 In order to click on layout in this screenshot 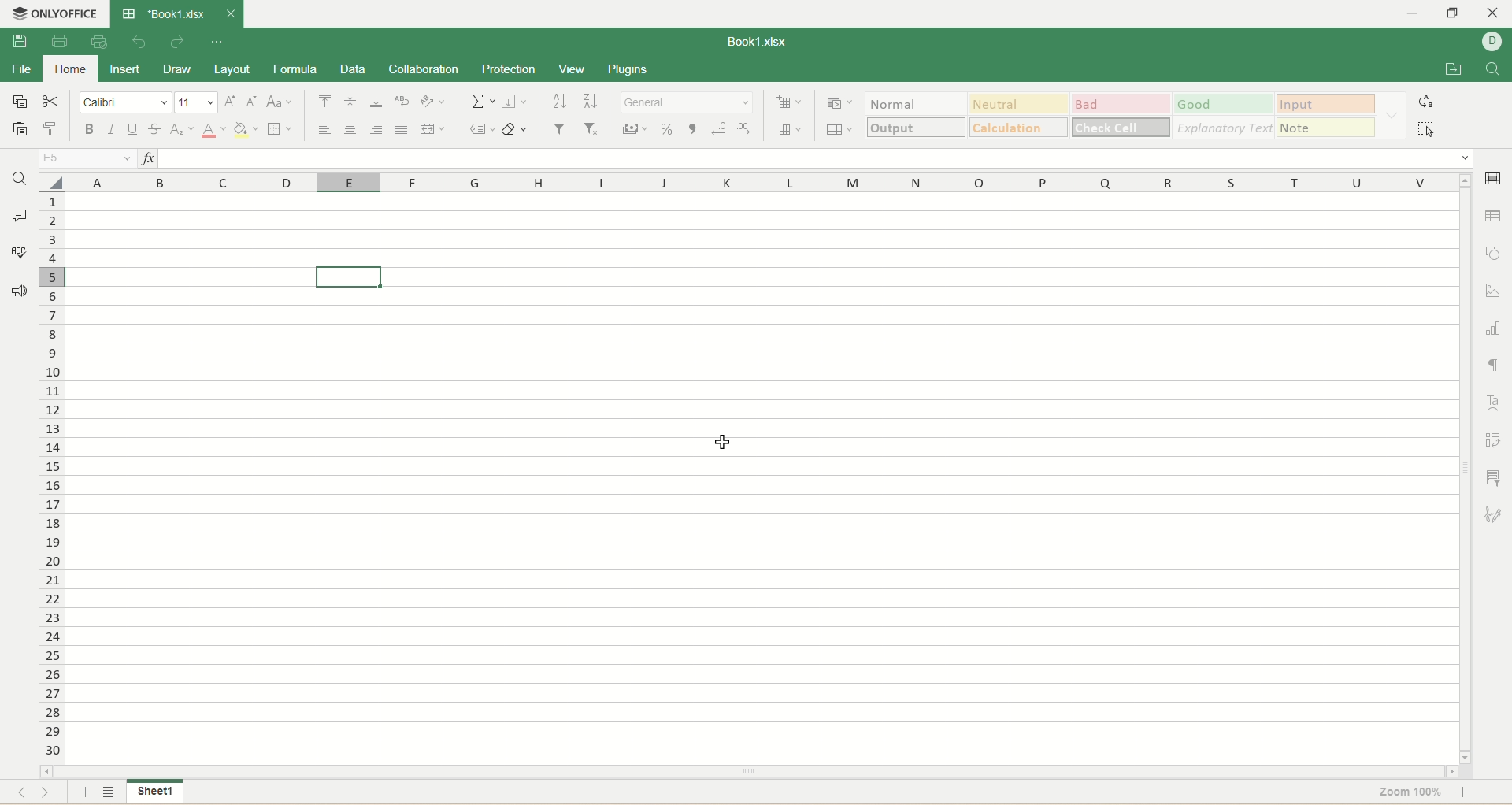, I will do `click(233, 71)`.